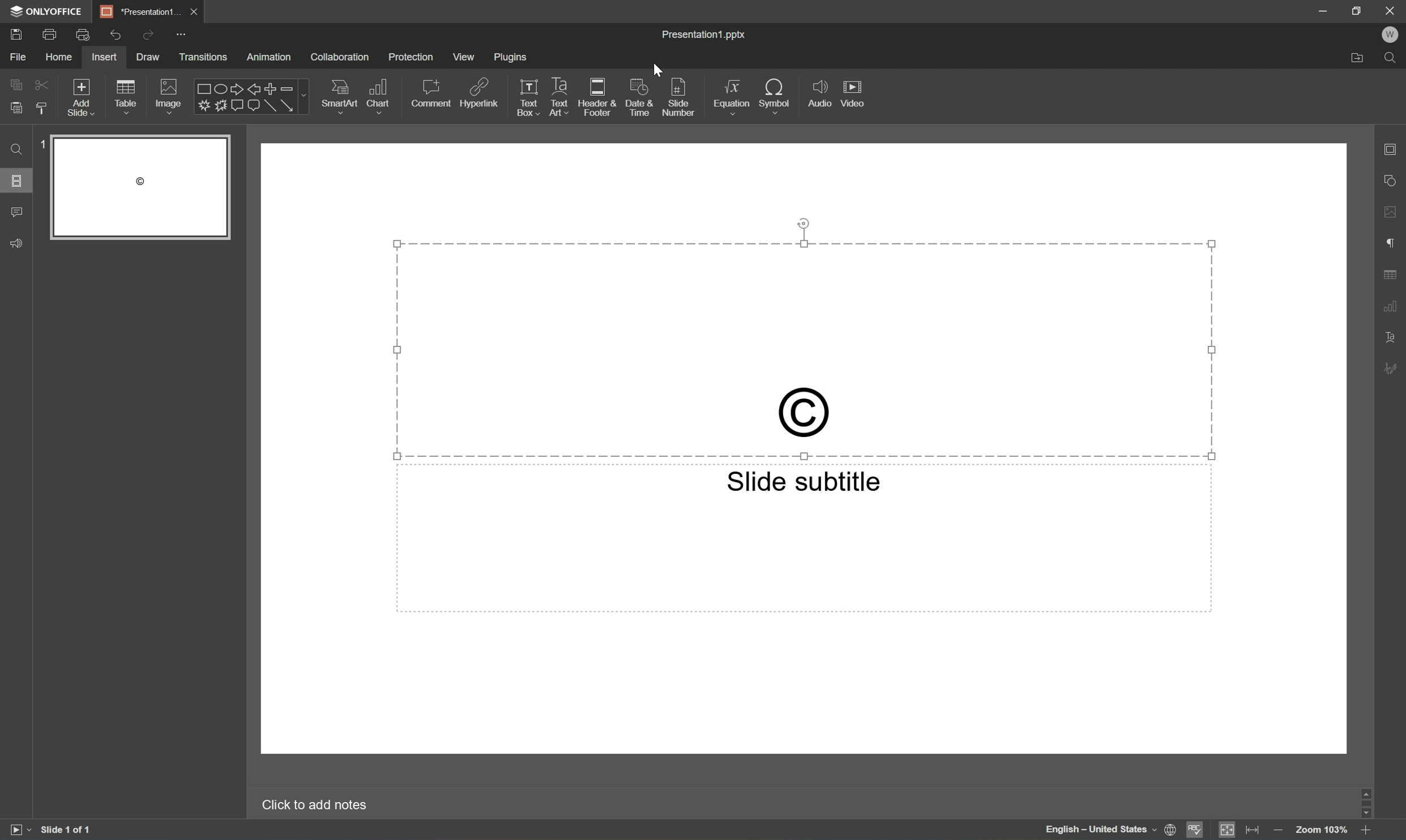 This screenshot has width=1406, height=840. What do you see at coordinates (1365, 832) in the screenshot?
I see `Zoom in` at bounding box center [1365, 832].